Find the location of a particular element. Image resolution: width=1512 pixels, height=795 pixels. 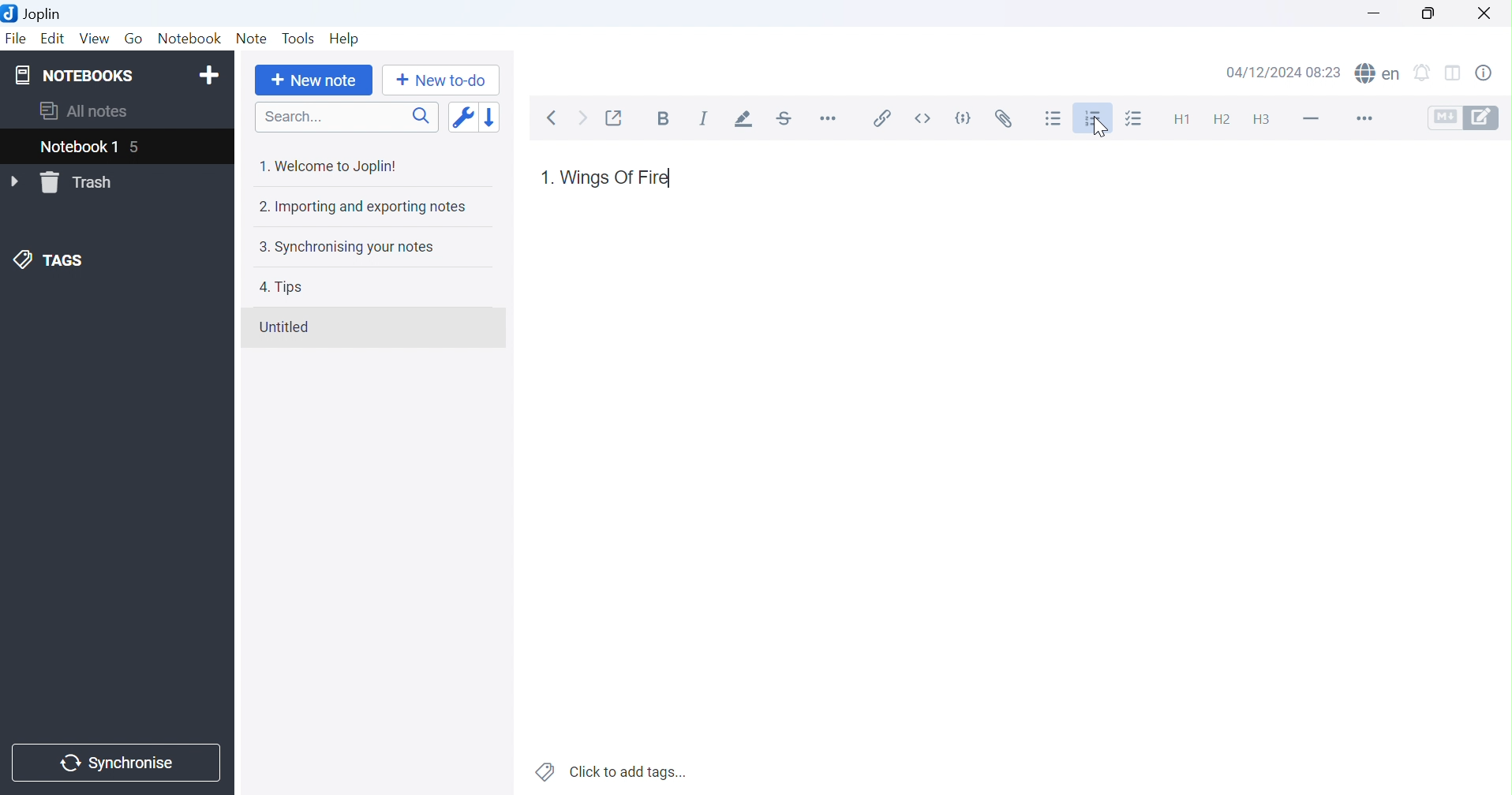

Numbered list is located at coordinates (1093, 120).